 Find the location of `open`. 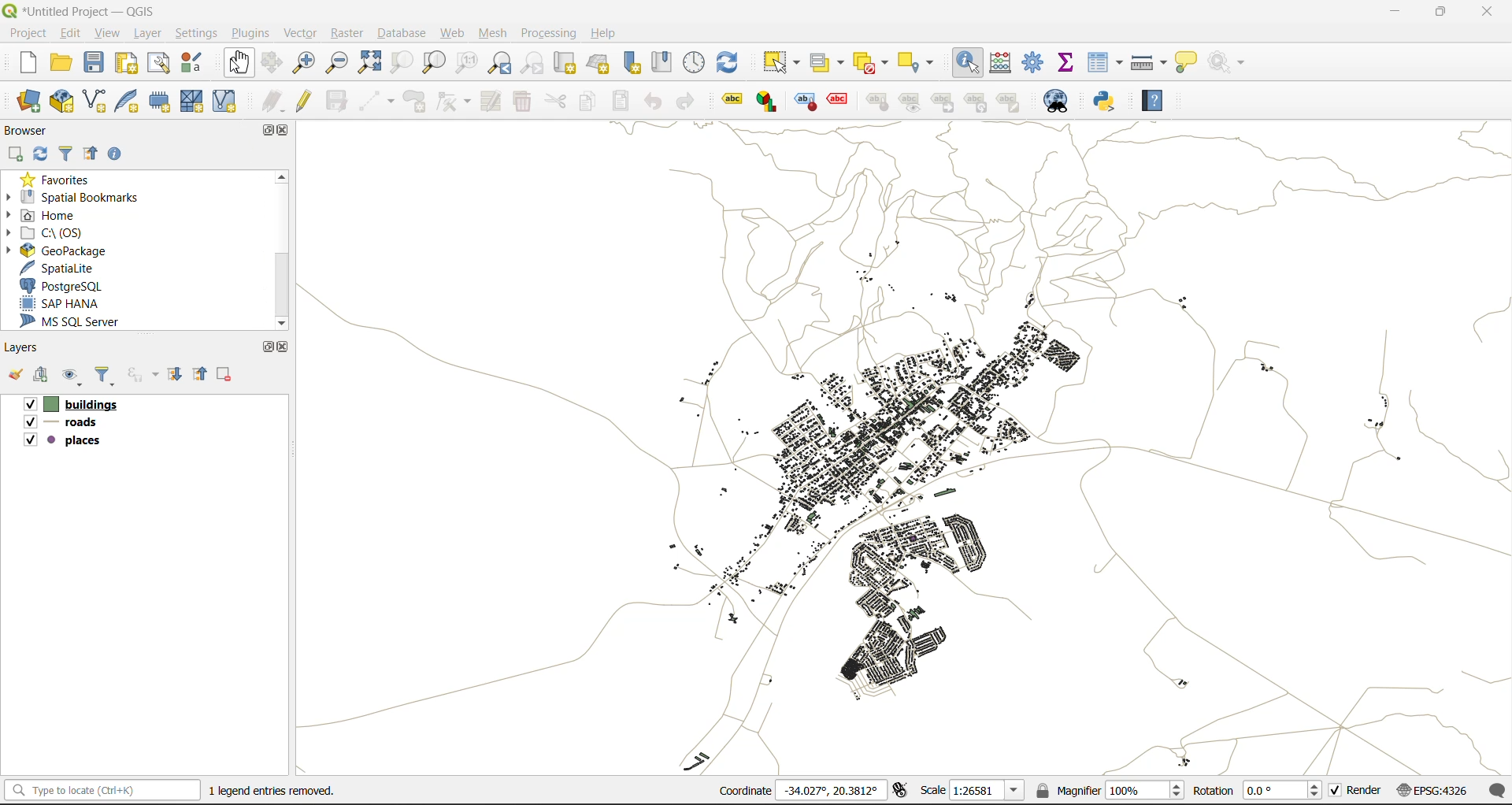

open is located at coordinates (61, 63).